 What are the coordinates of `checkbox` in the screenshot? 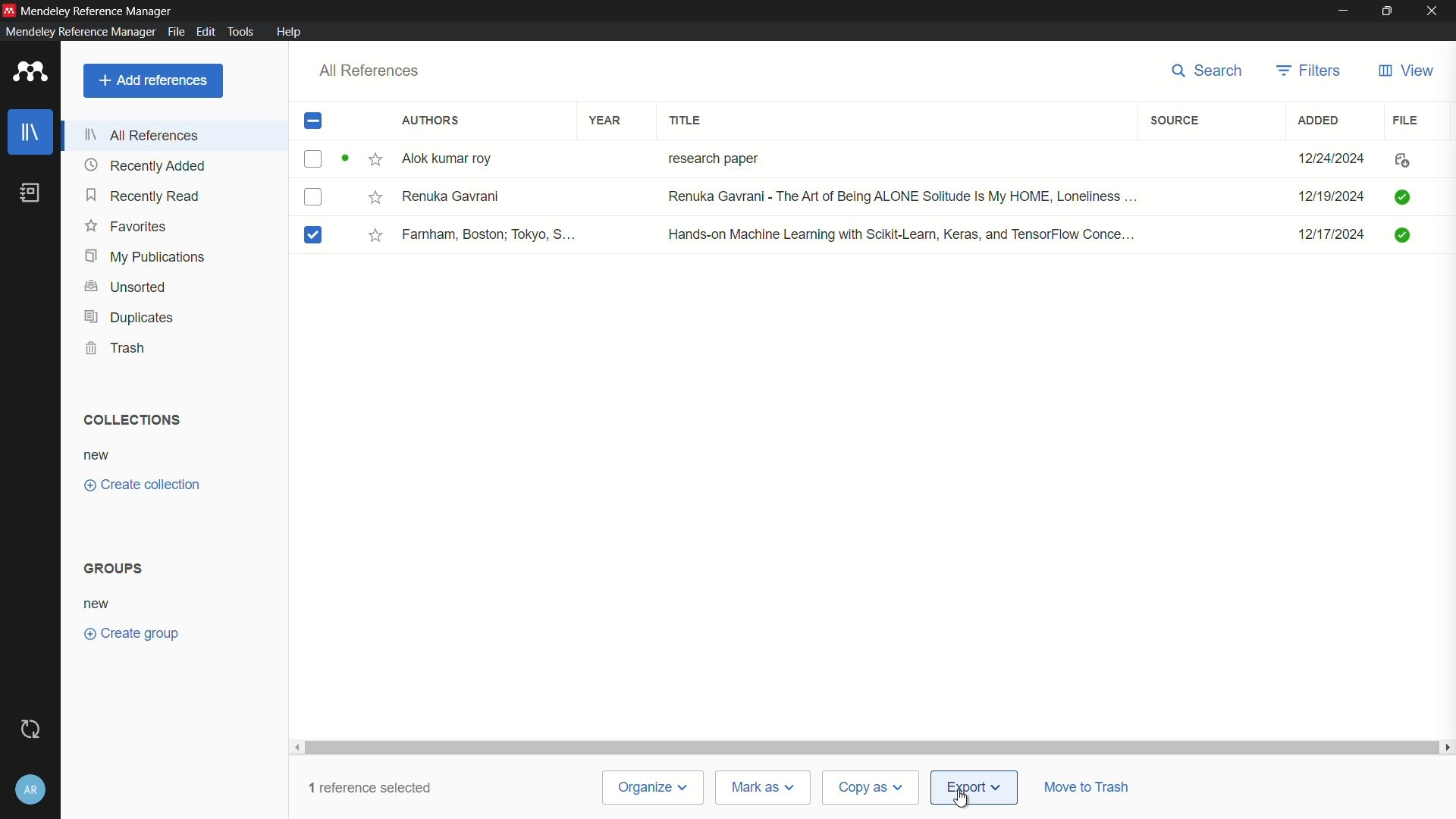 It's located at (314, 159).